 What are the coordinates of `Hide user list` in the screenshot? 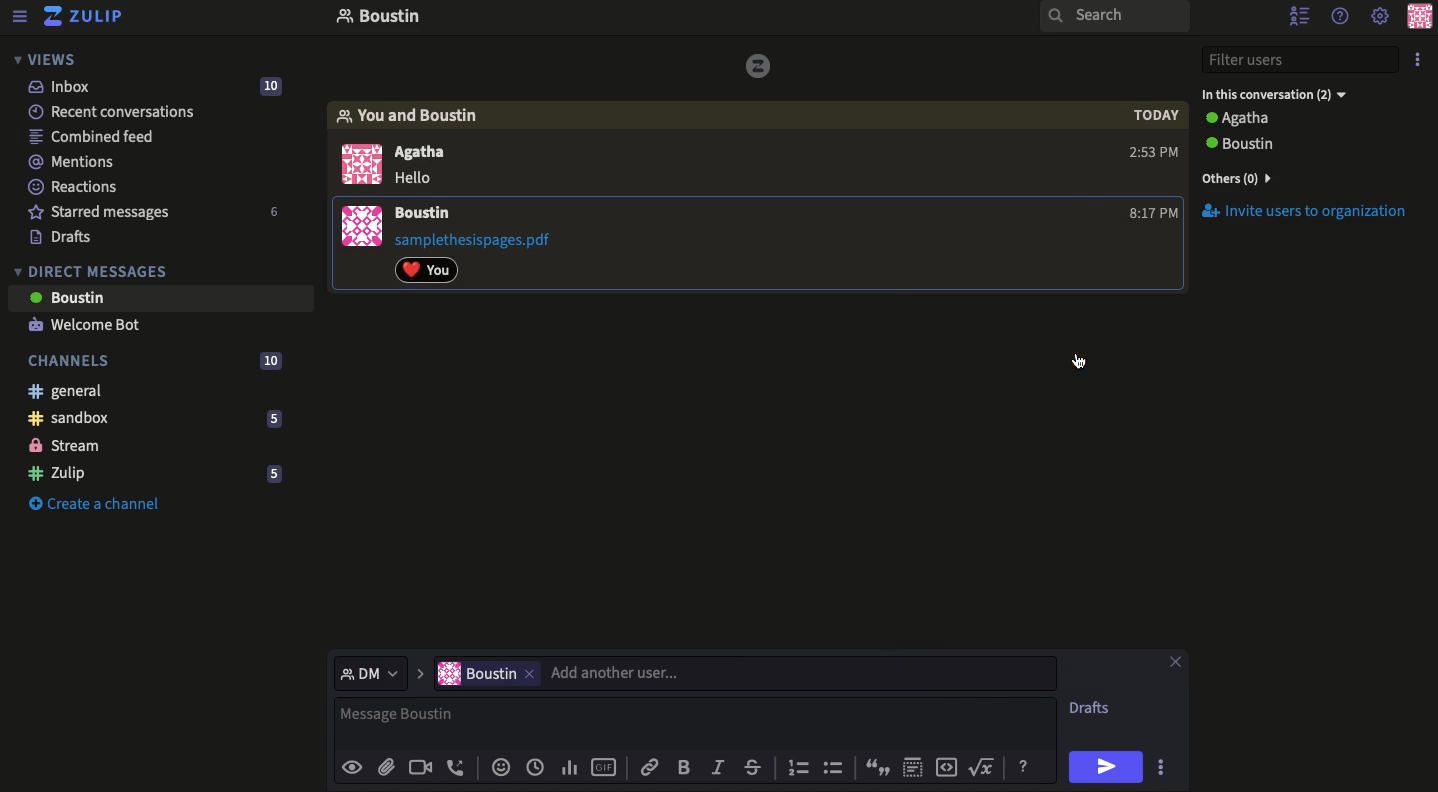 It's located at (1302, 16).